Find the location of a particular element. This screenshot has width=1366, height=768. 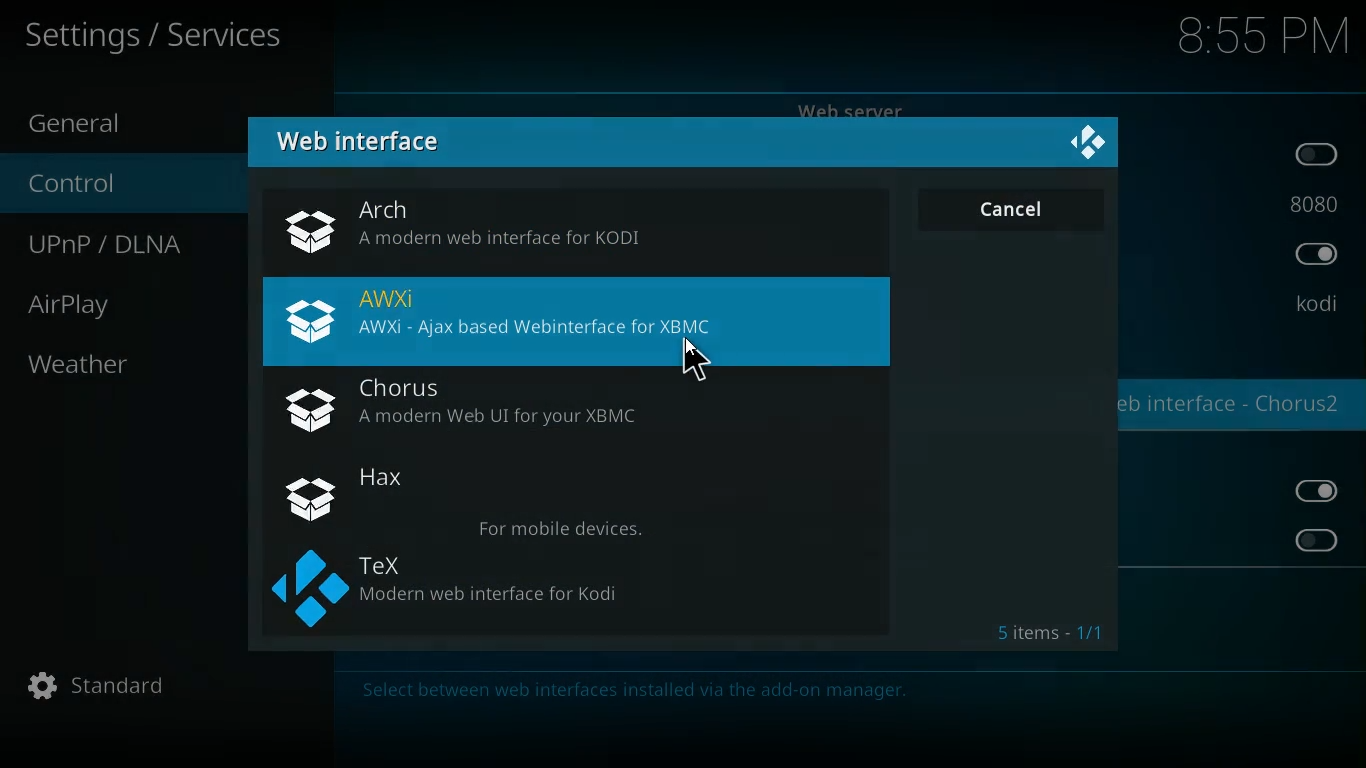

UPnP / DLNA is located at coordinates (125, 245).